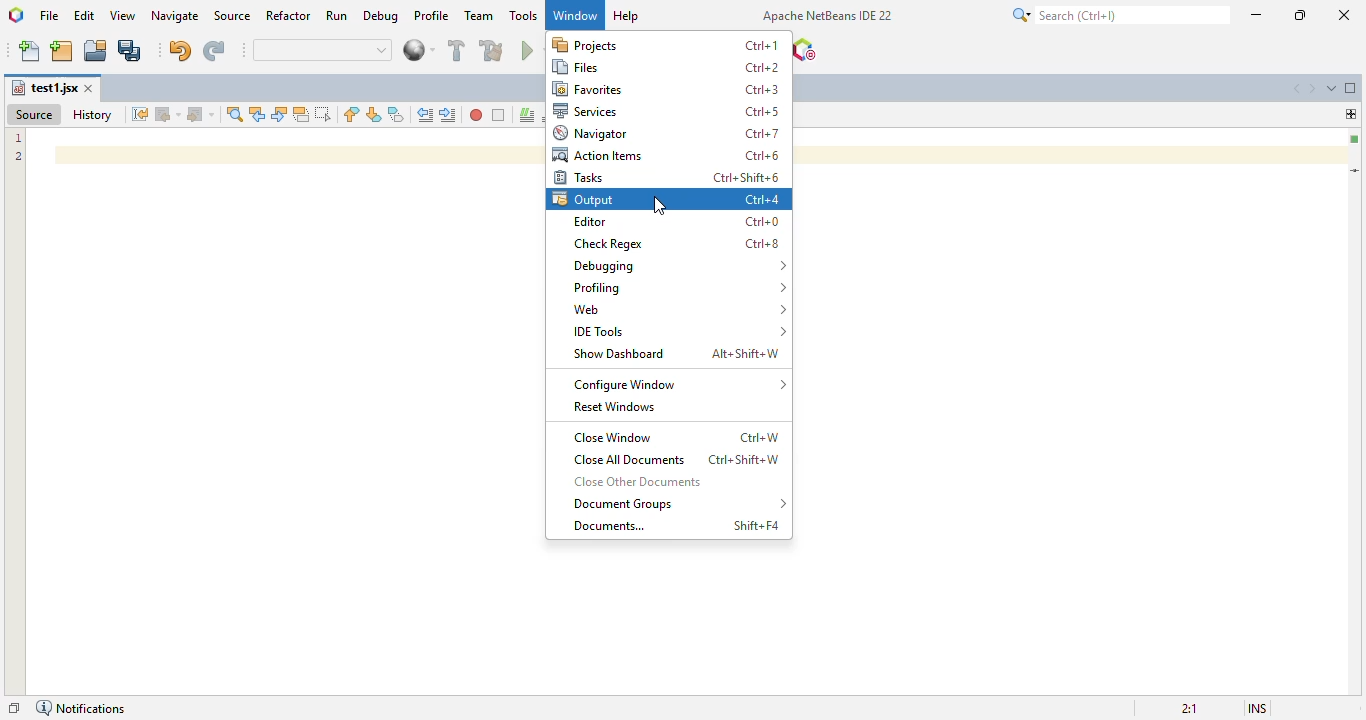 Image resolution: width=1366 pixels, height=720 pixels. Describe the element at coordinates (450, 115) in the screenshot. I see `shift line right` at that location.